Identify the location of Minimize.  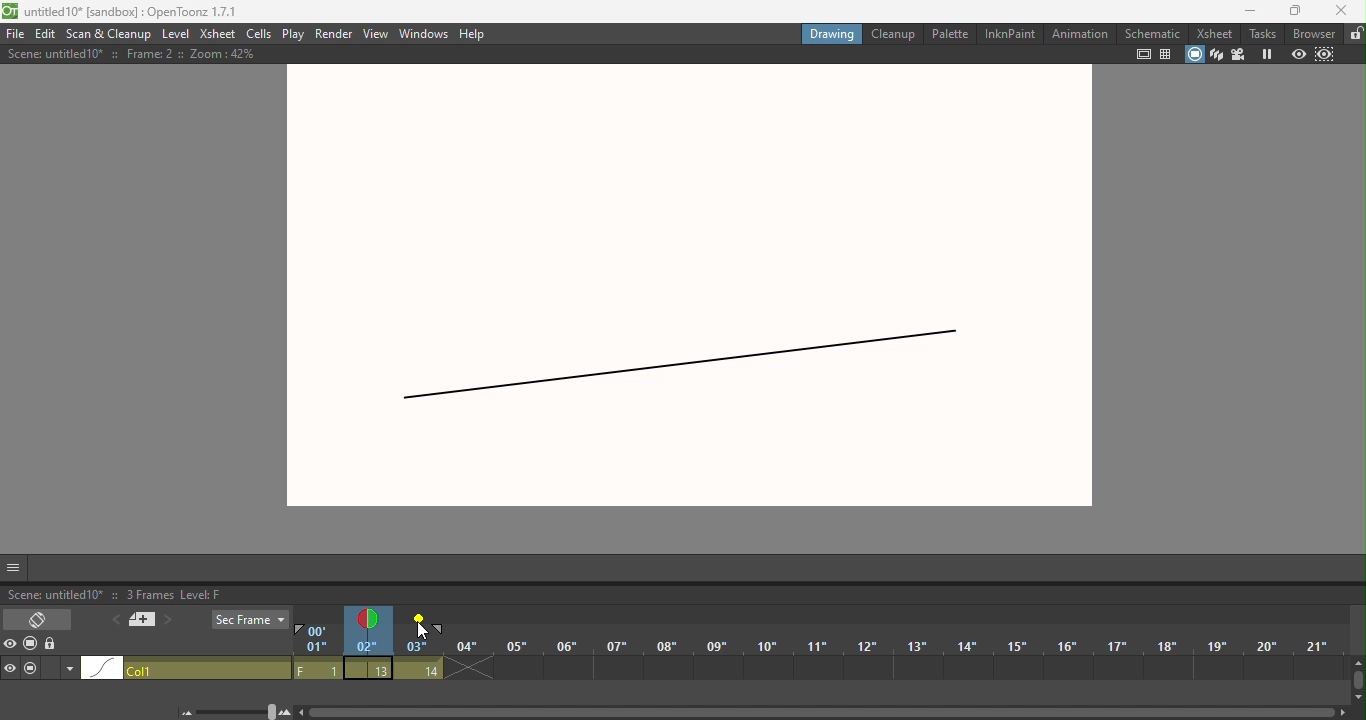
(1244, 10).